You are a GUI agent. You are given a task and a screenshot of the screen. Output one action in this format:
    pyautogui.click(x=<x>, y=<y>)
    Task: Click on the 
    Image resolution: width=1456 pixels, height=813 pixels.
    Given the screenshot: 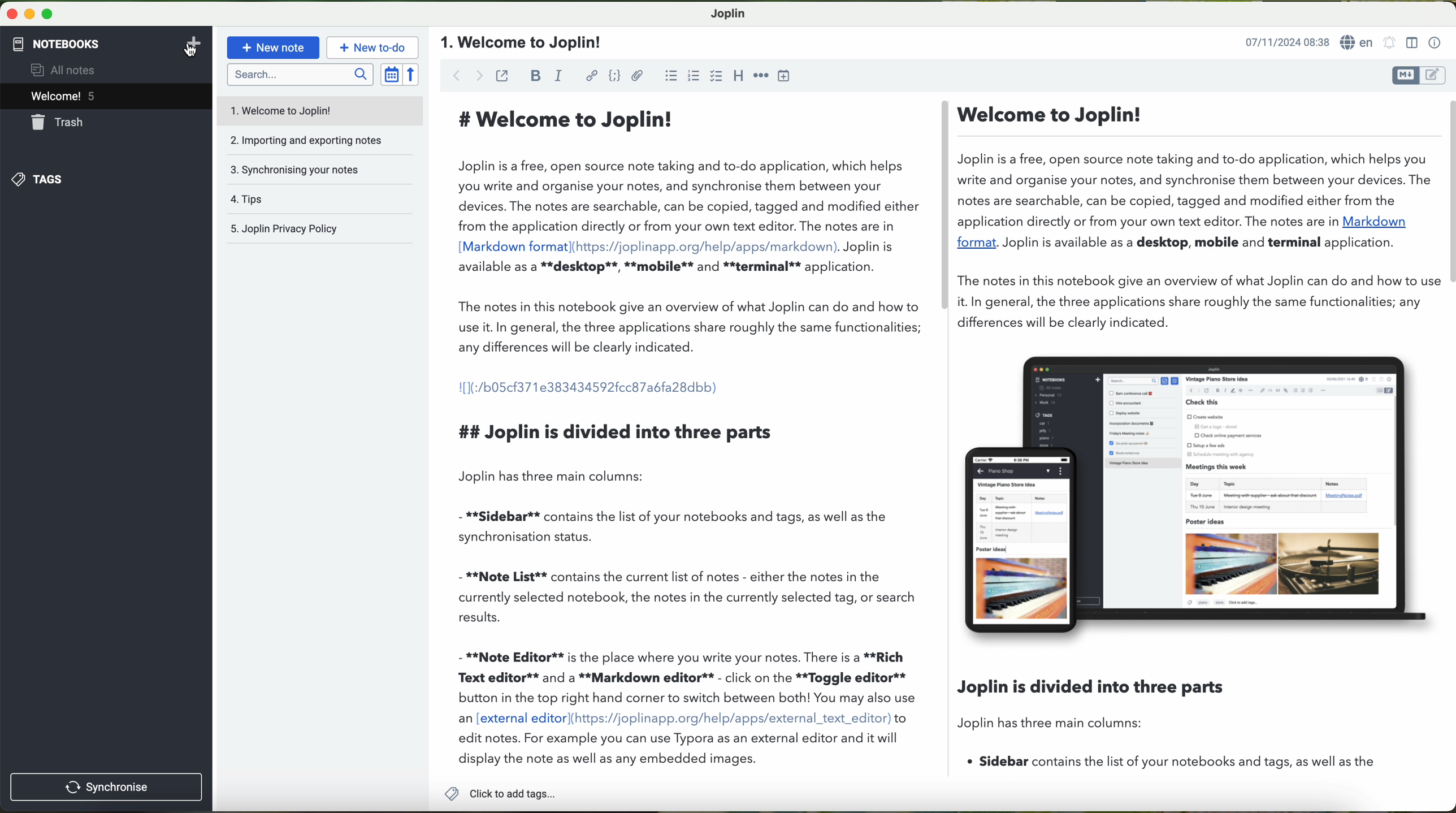 What is the action you would take?
    pyautogui.click(x=415, y=76)
    